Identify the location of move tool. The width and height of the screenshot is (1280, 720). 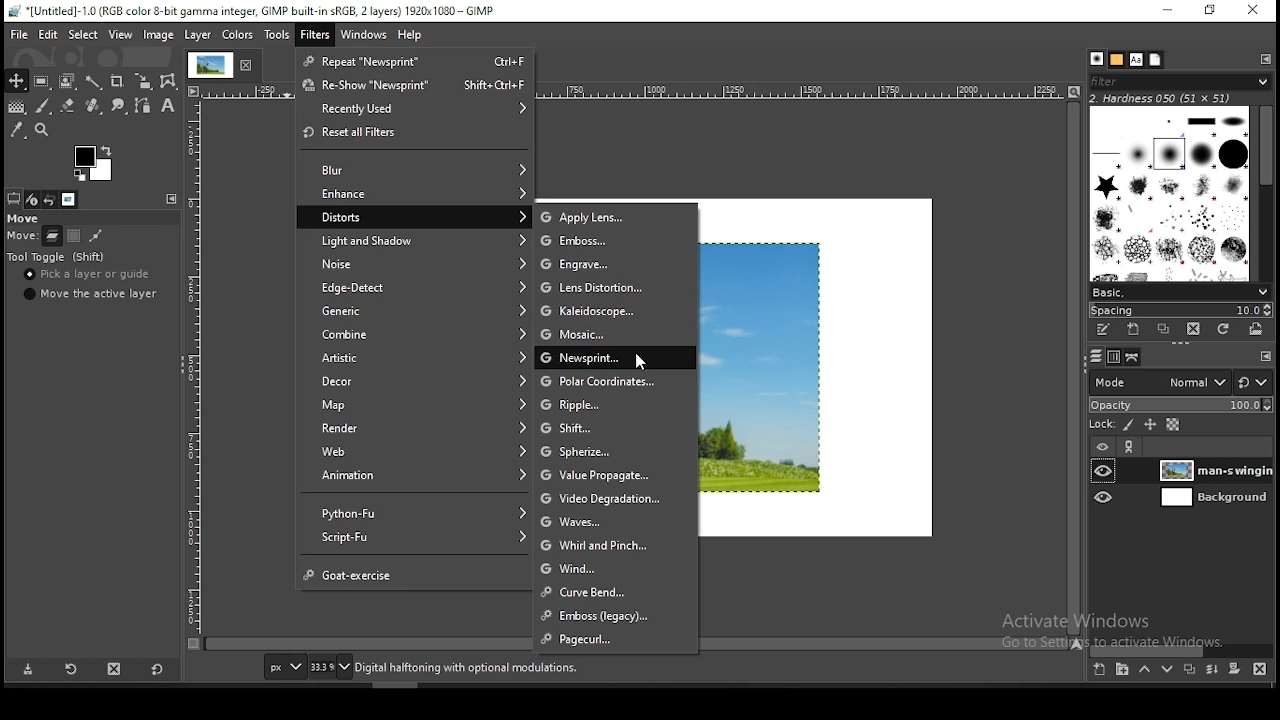
(16, 81).